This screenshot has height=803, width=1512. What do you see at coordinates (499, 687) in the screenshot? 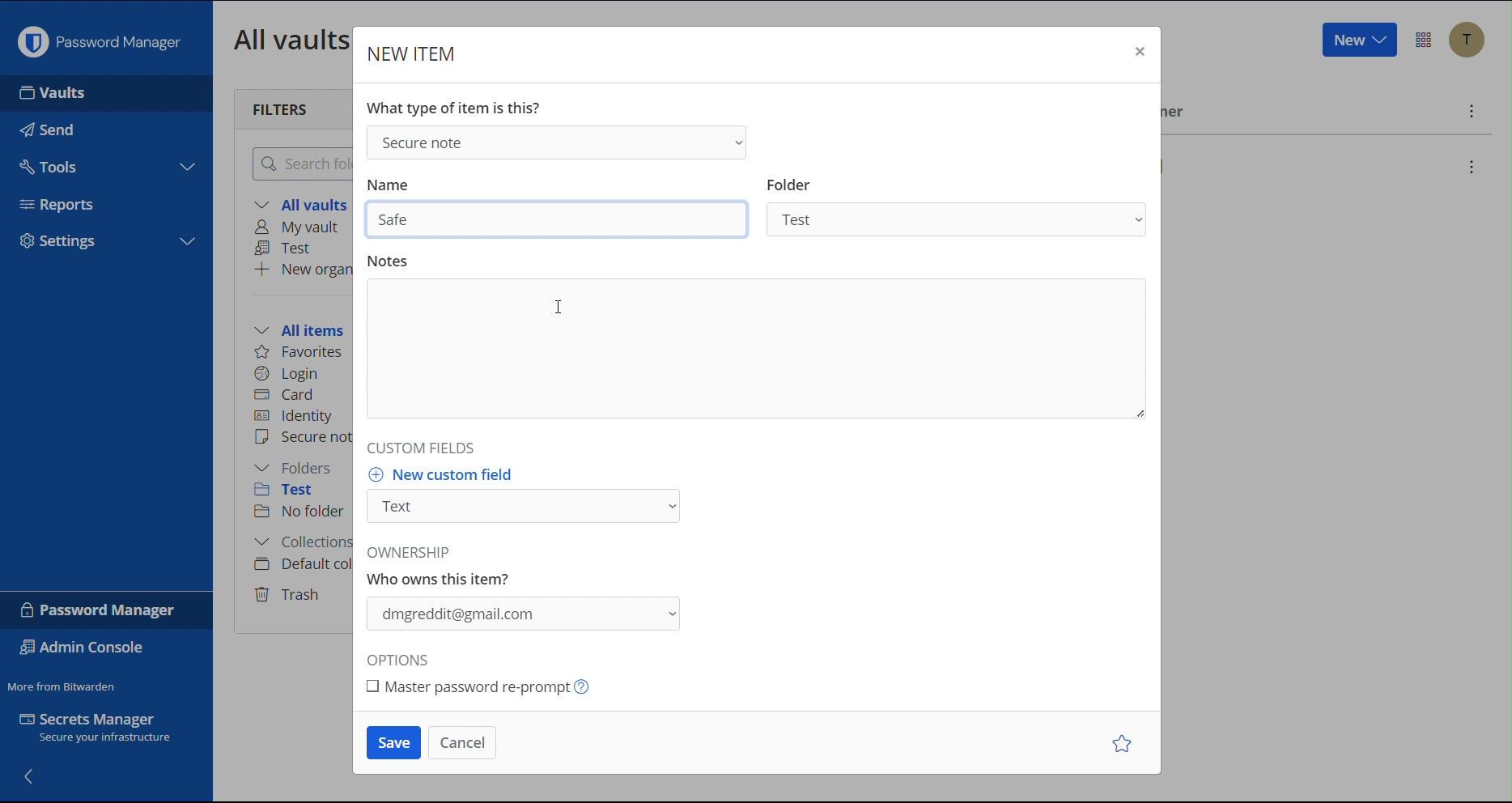
I see `Master password re-prompt` at bounding box center [499, 687].